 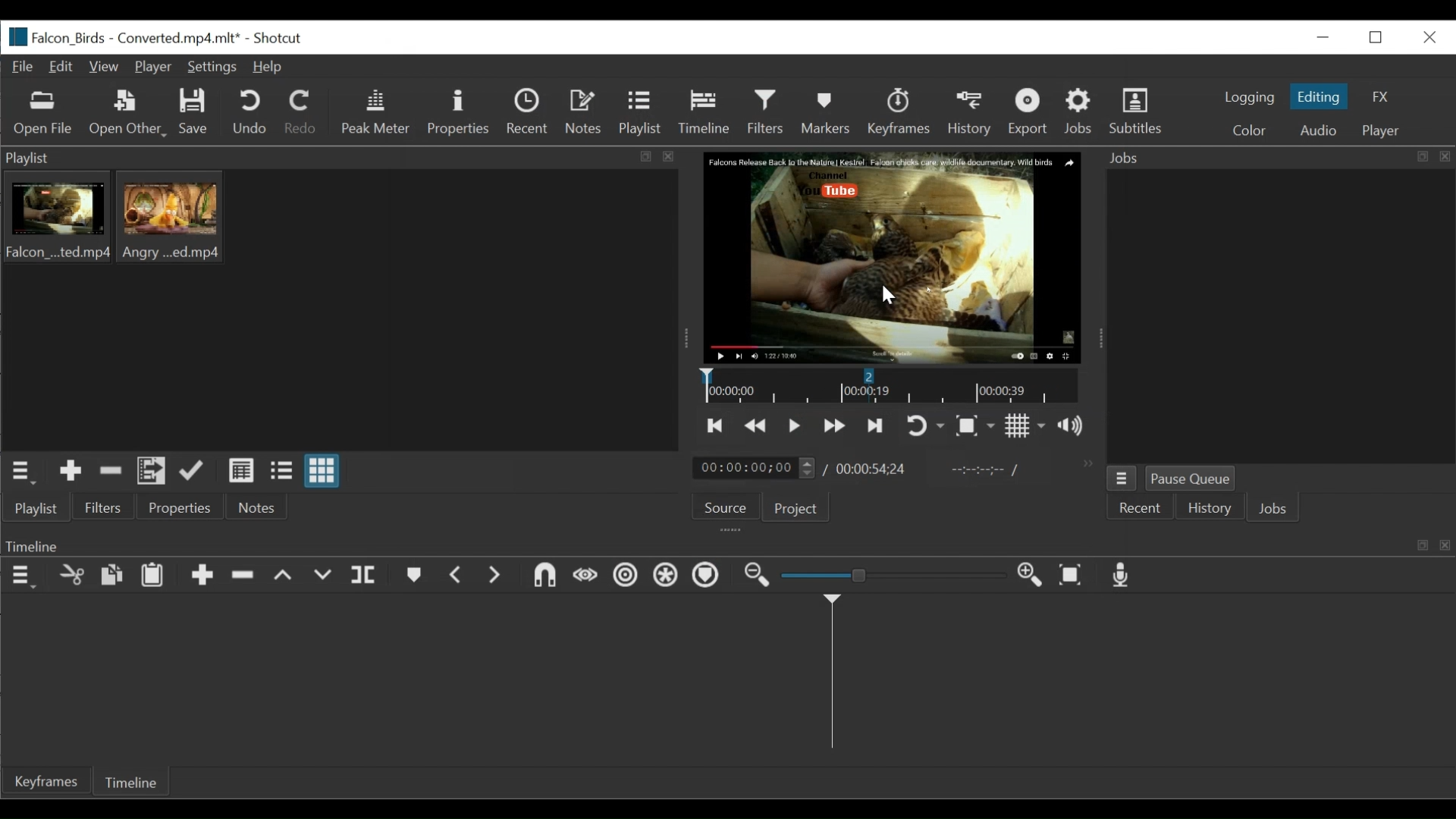 I want to click on Previous marker, so click(x=457, y=575).